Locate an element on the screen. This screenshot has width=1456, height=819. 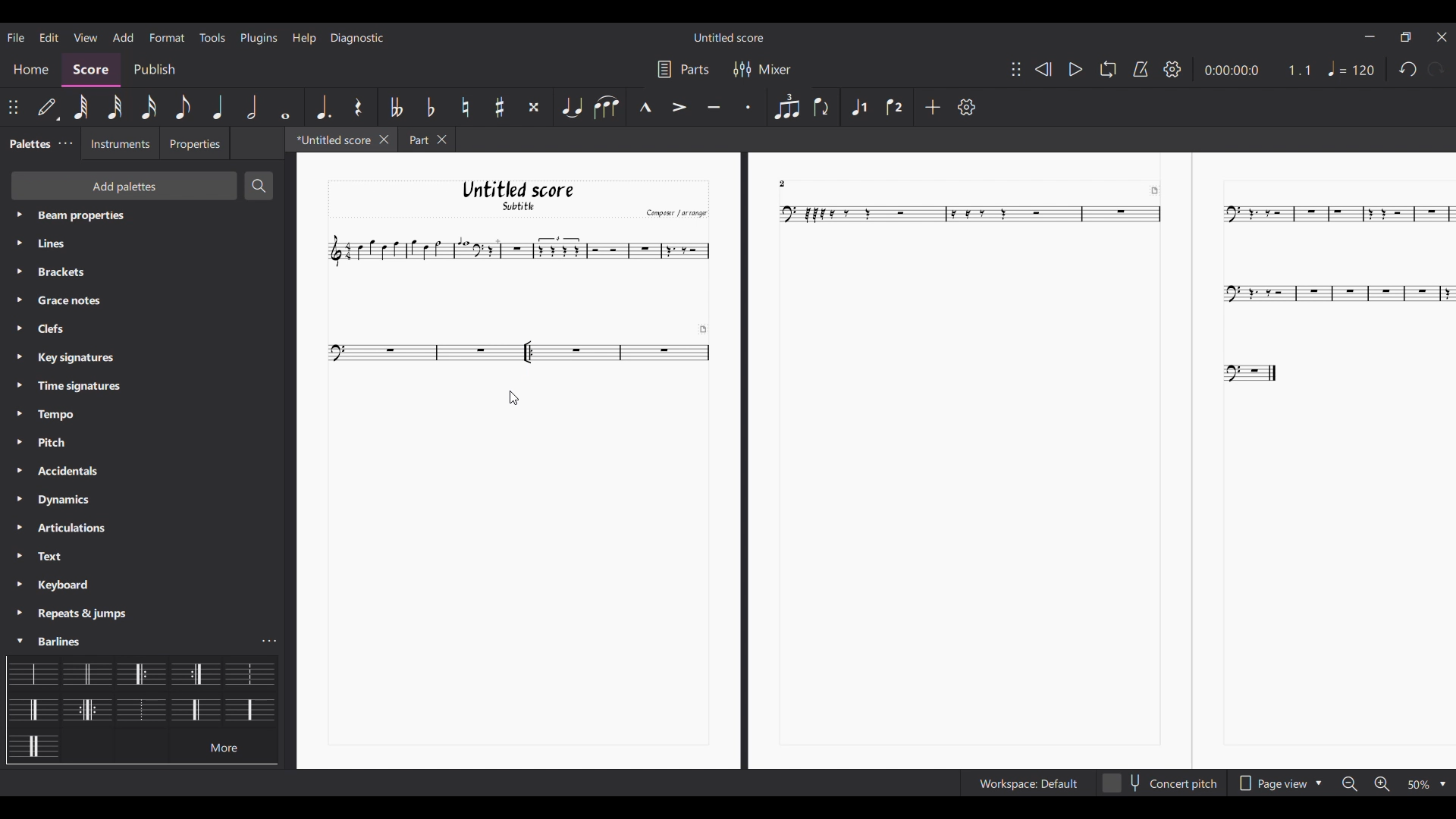
Tenuto is located at coordinates (714, 108).